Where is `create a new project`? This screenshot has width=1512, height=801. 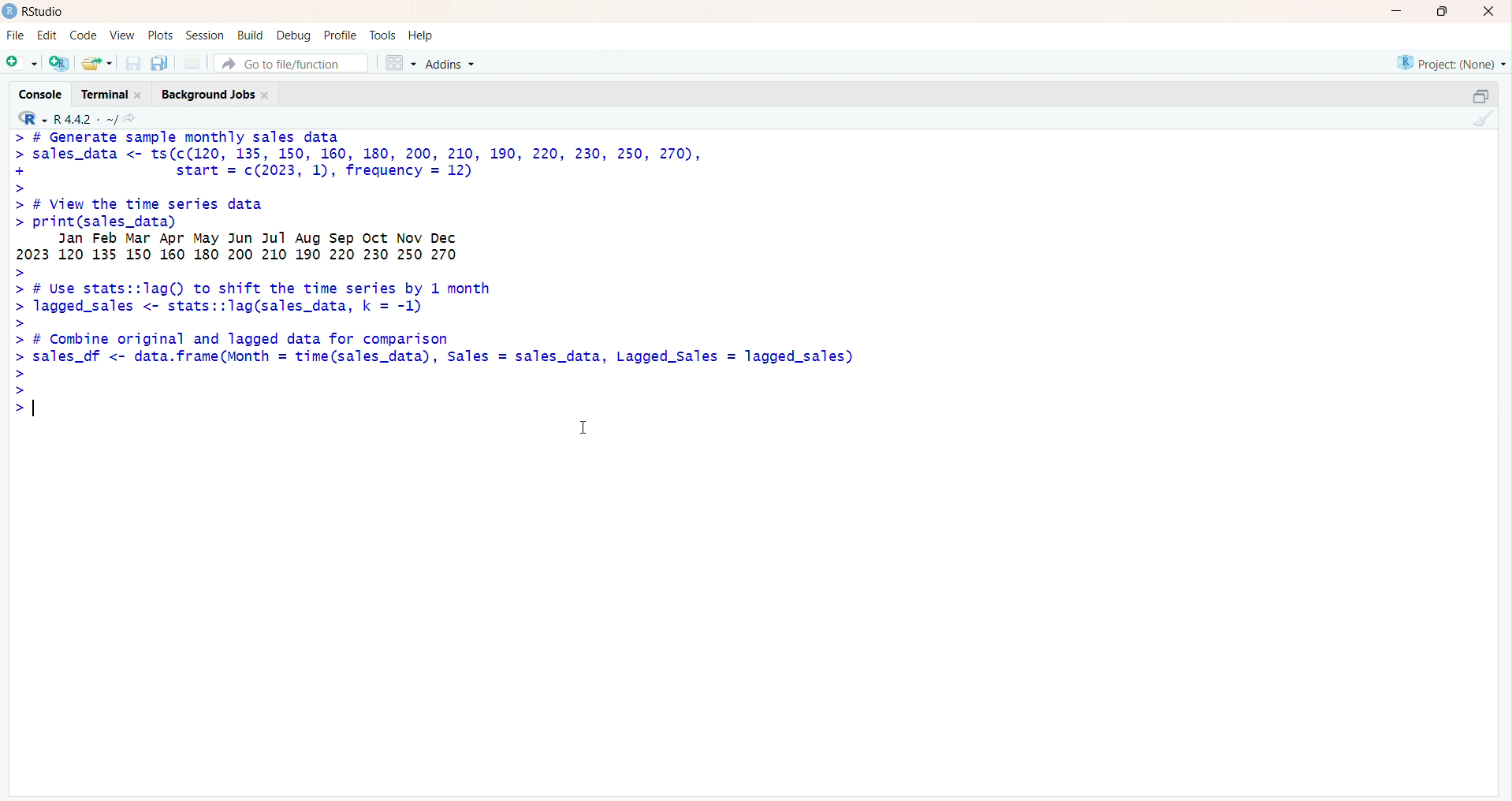 create a new project is located at coordinates (61, 63).